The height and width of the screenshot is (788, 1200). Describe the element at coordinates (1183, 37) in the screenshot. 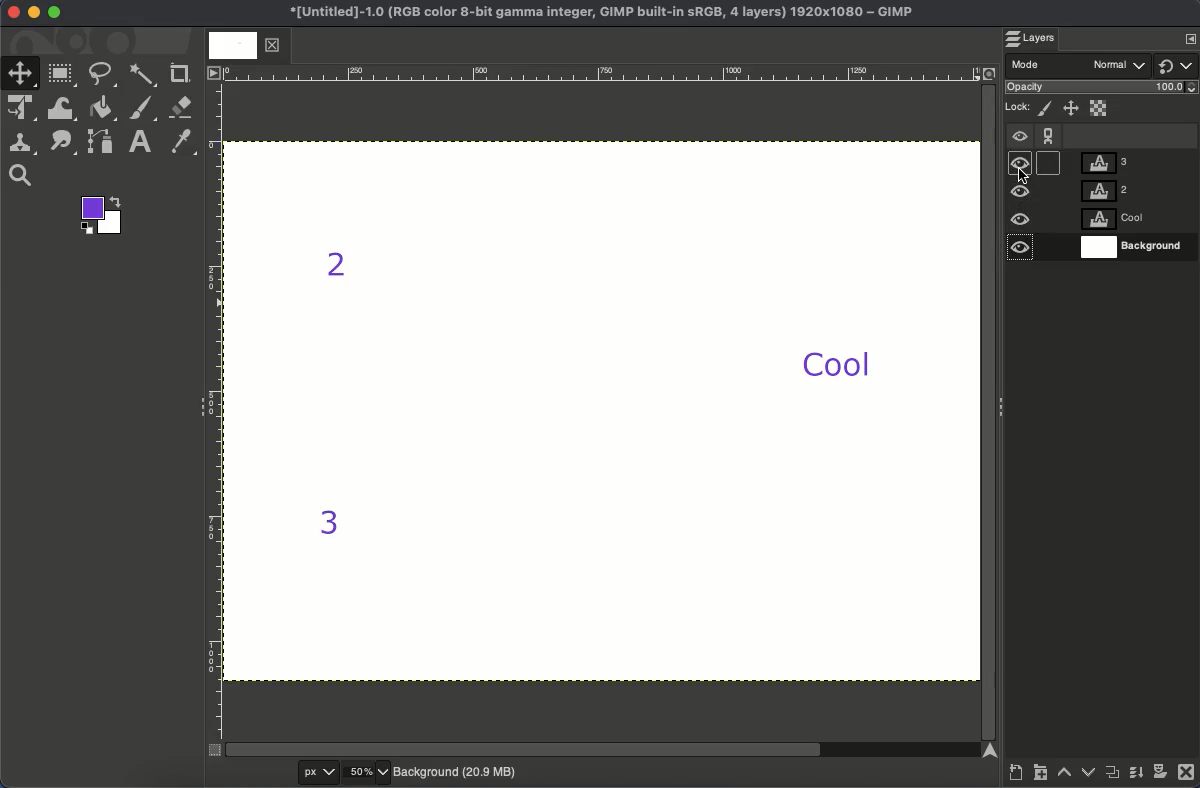

I see `show layers` at that location.